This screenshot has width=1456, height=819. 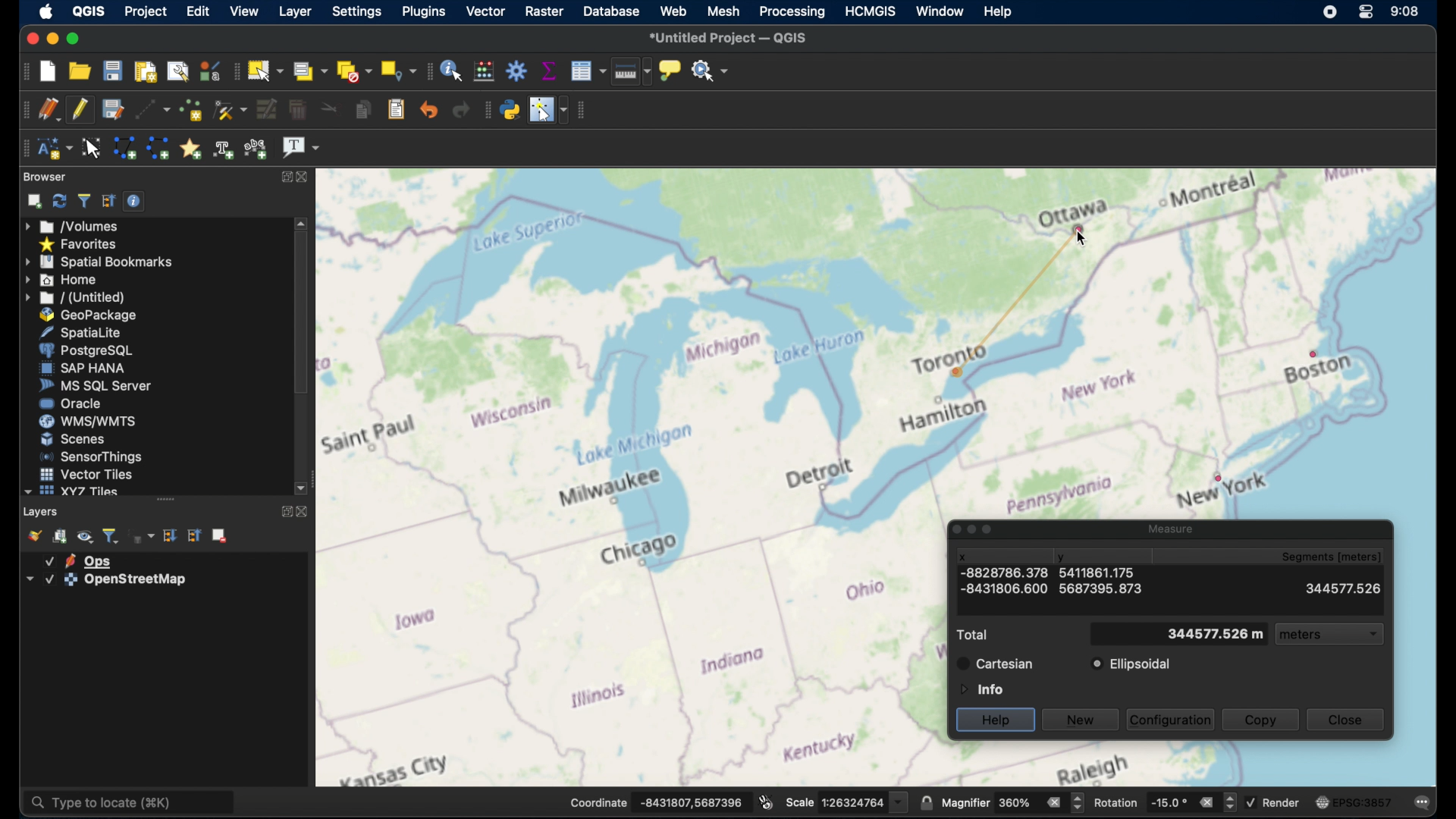 What do you see at coordinates (61, 536) in the screenshot?
I see `add group` at bounding box center [61, 536].